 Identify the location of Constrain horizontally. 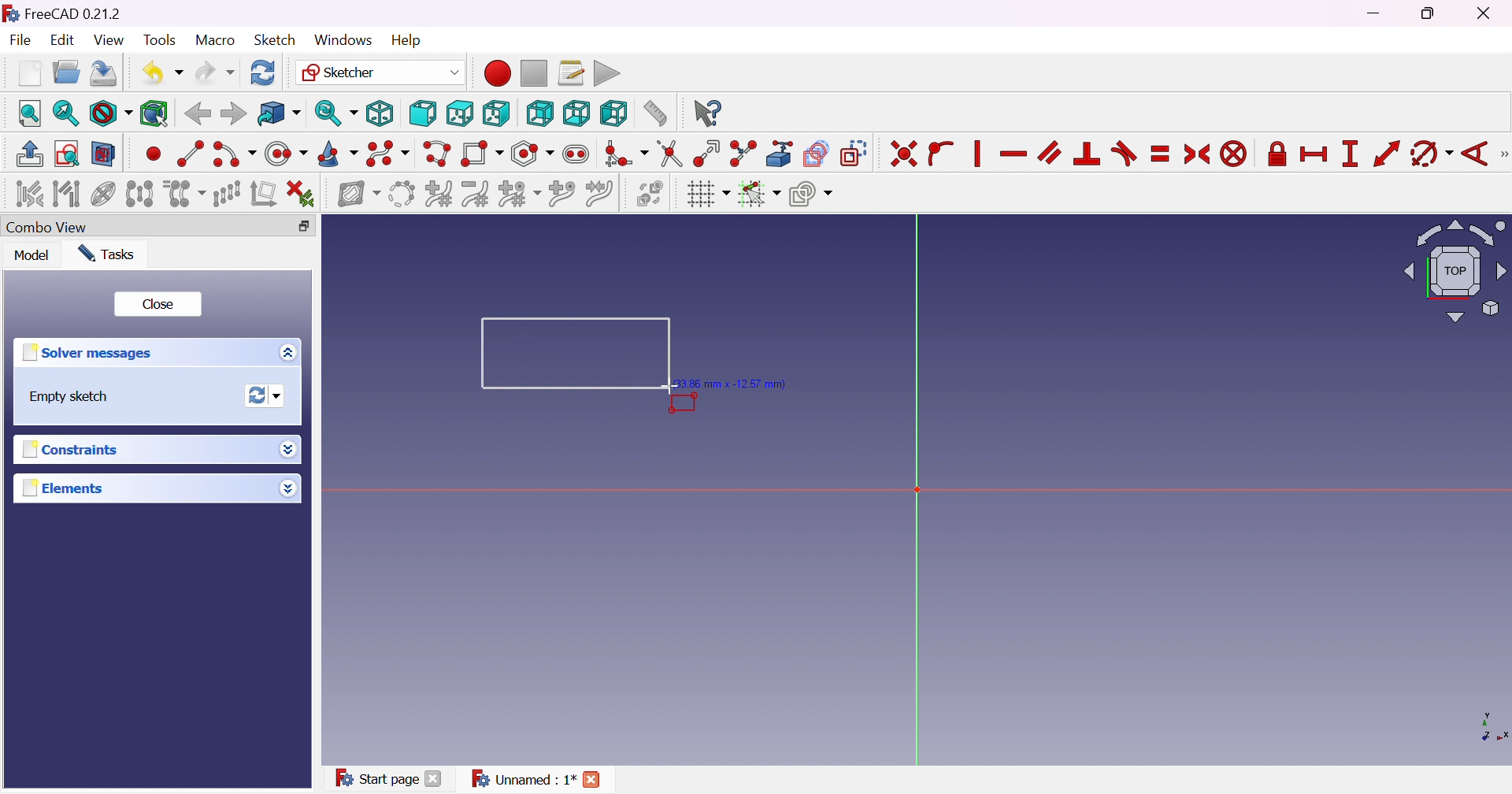
(1014, 154).